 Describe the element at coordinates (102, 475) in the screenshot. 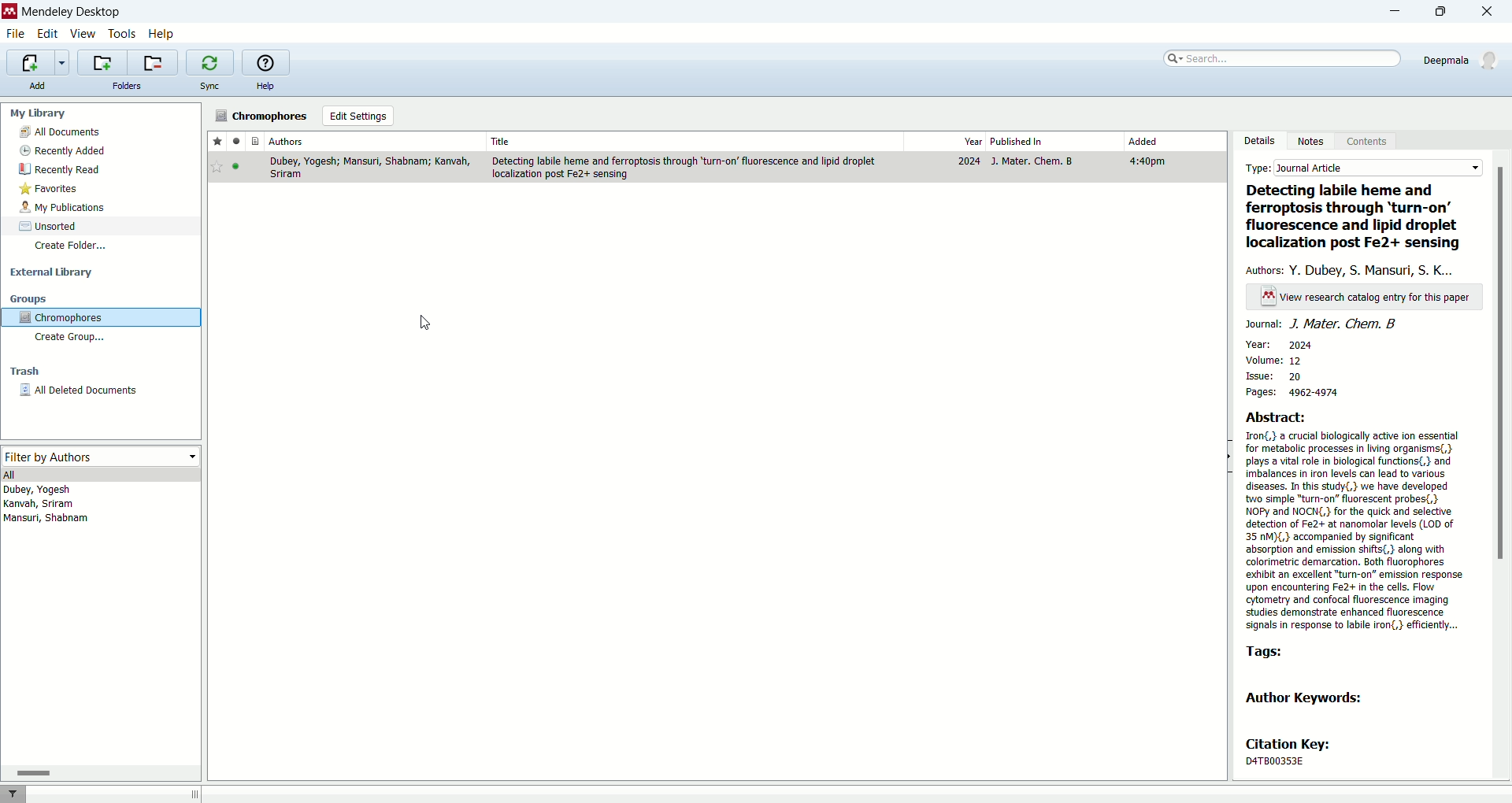

I see `all` at that location.